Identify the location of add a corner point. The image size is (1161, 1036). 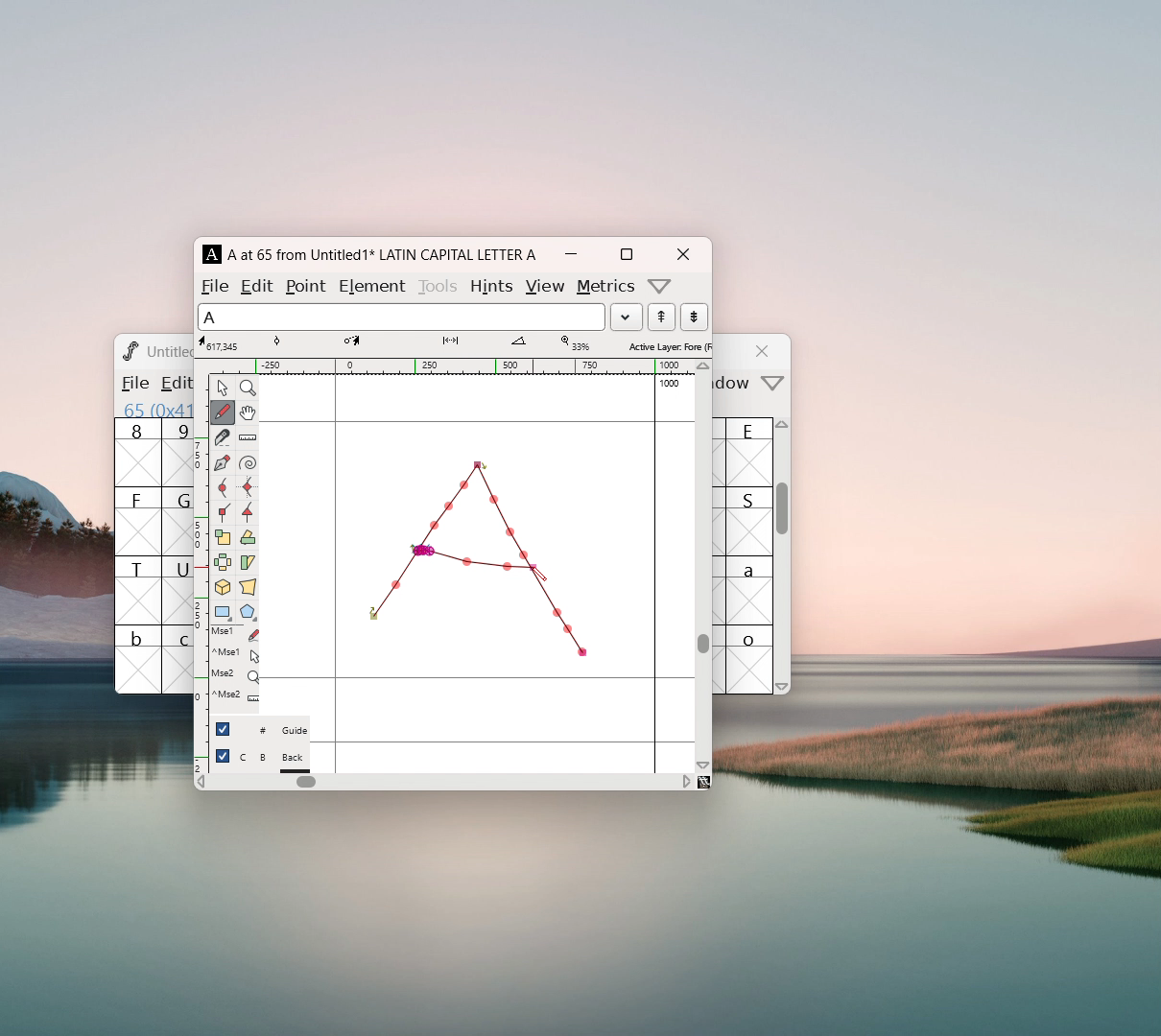
(222, 511).